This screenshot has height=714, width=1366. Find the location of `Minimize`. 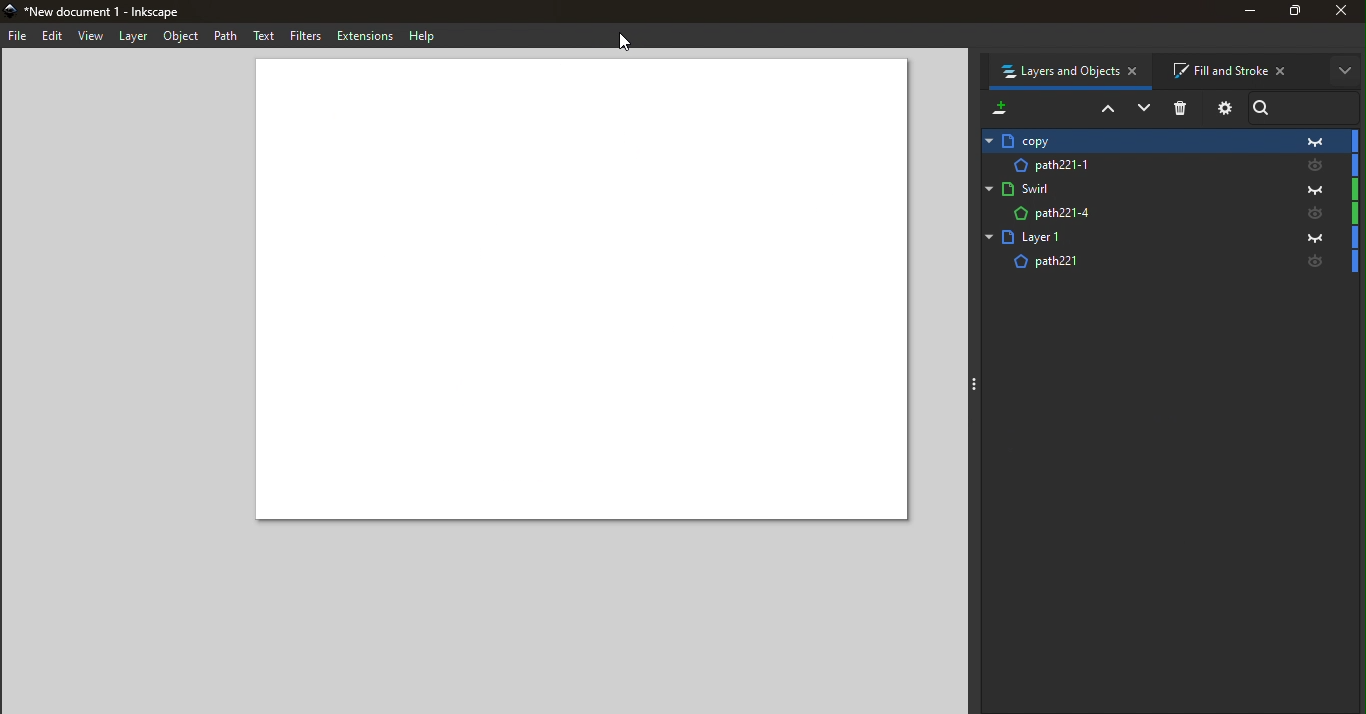

Minimize is located at coordinates (1247, 12).